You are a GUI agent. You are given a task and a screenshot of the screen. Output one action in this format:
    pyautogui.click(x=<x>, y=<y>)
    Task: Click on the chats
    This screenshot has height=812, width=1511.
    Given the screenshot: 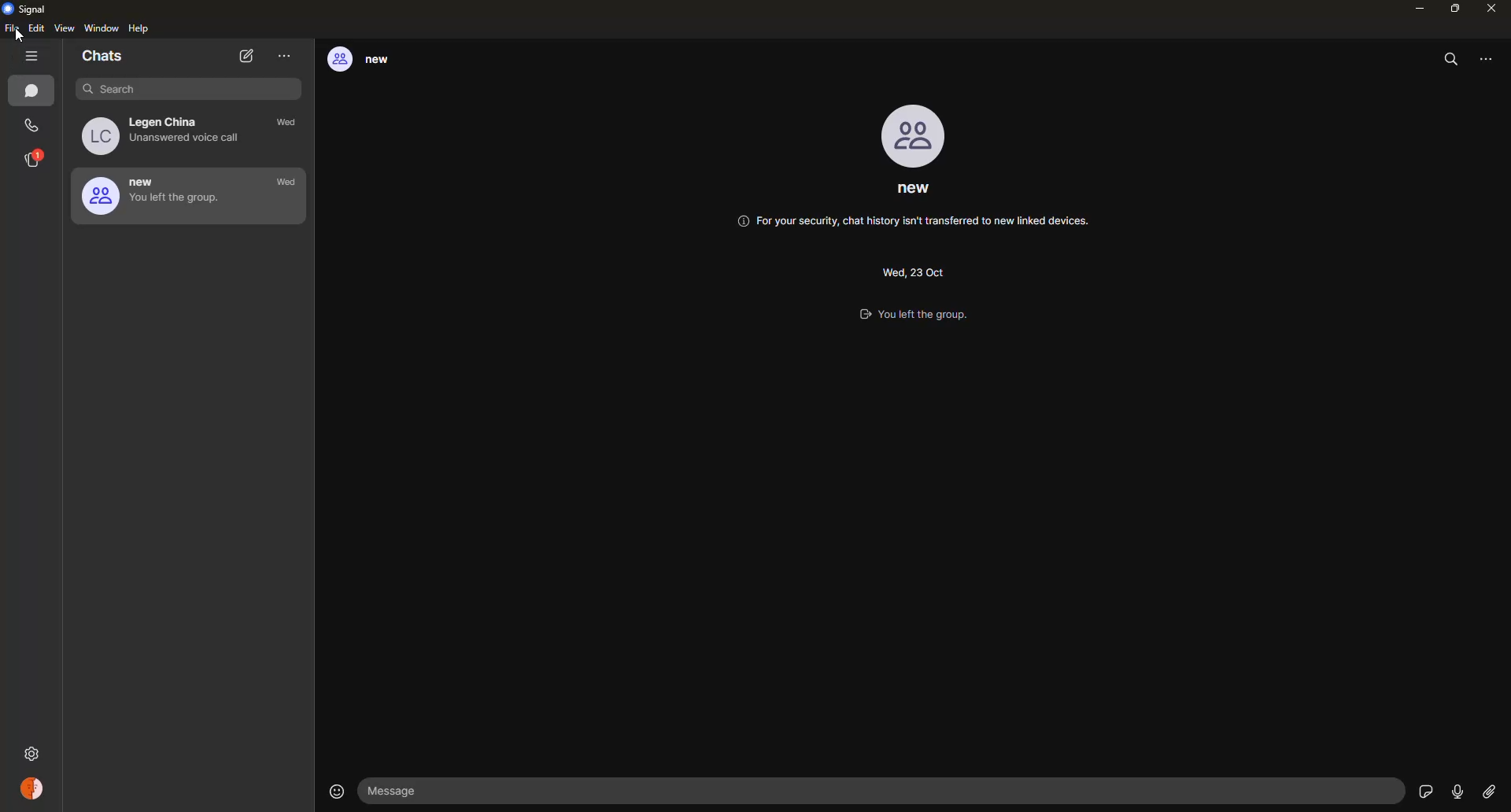 What is the action you would take?
    pyautogui.click(x=35, y=92)
    